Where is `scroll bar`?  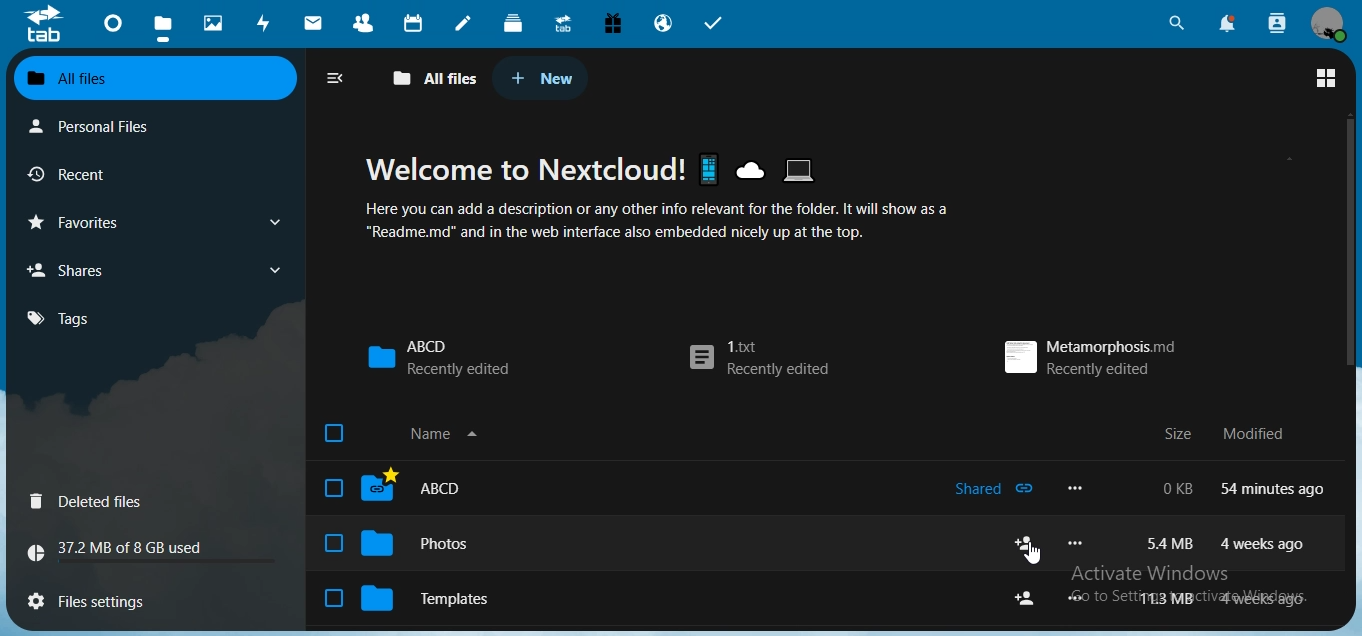
scroll bar is located at coordinates (1349, 245).